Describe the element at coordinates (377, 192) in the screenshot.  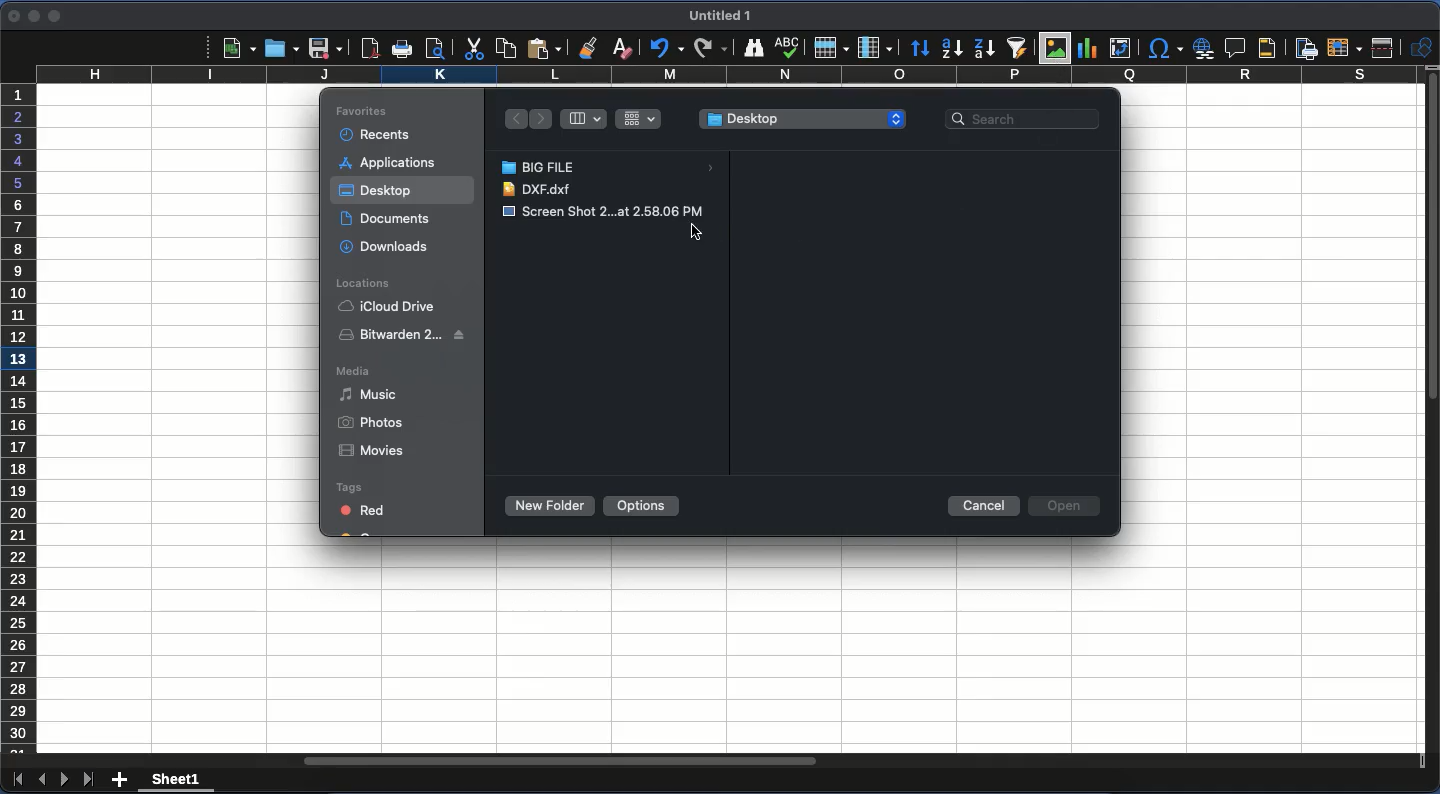
I see `desktop` at that location.